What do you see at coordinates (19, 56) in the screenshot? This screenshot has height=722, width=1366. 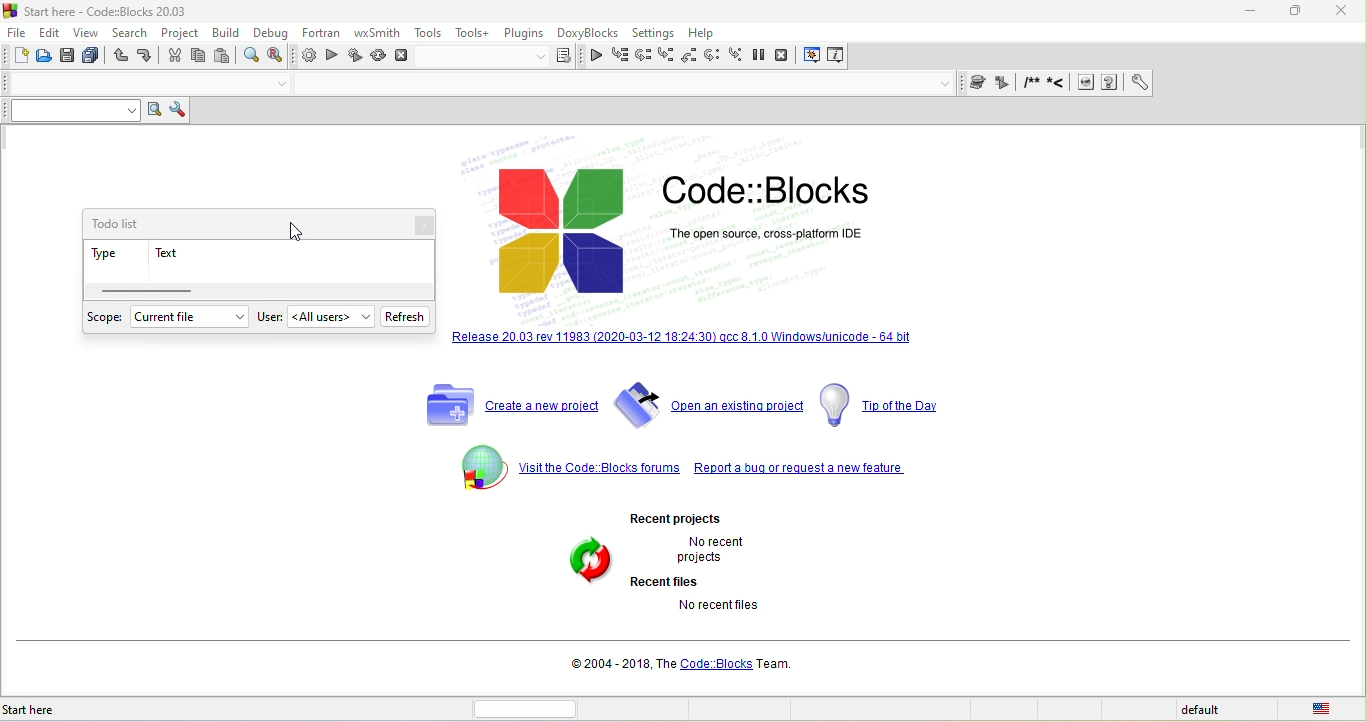 I see `new` at bounding box center [19, 56].